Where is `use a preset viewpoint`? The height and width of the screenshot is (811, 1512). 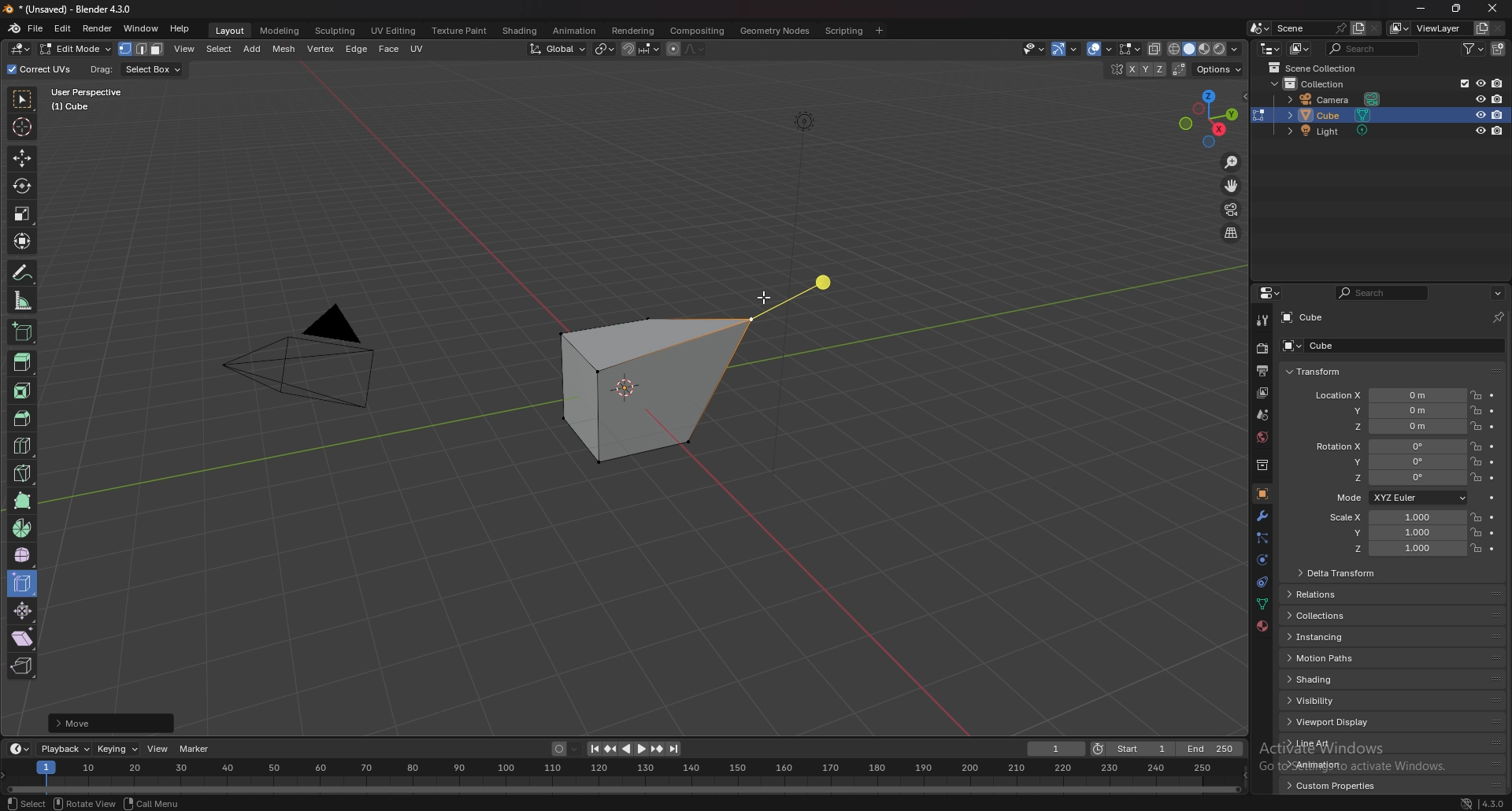
use a preset viewpoint is located at coordinates (1209, 118).